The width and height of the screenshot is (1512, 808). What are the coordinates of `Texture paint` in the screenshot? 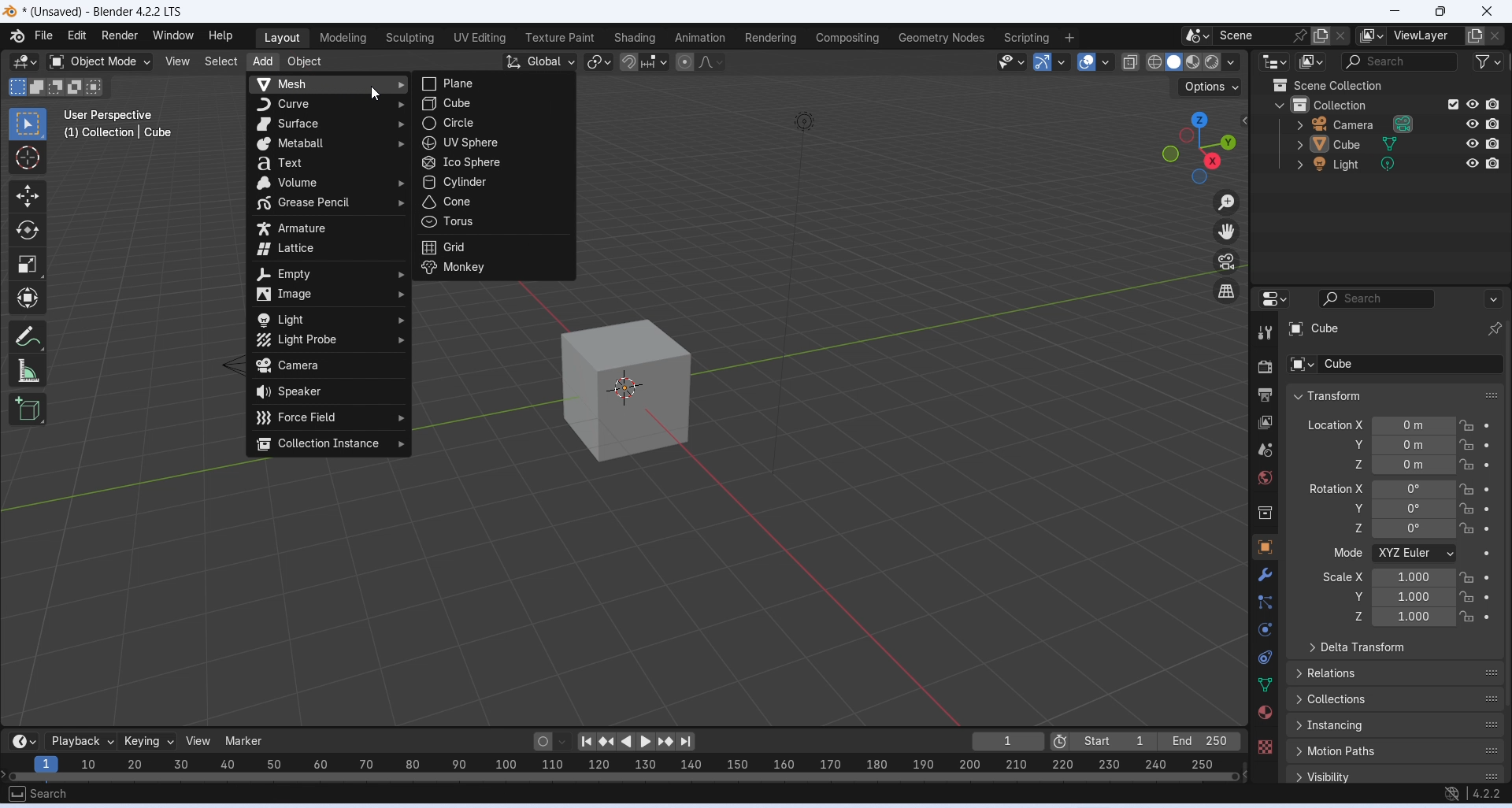 It's located at (560, 38).